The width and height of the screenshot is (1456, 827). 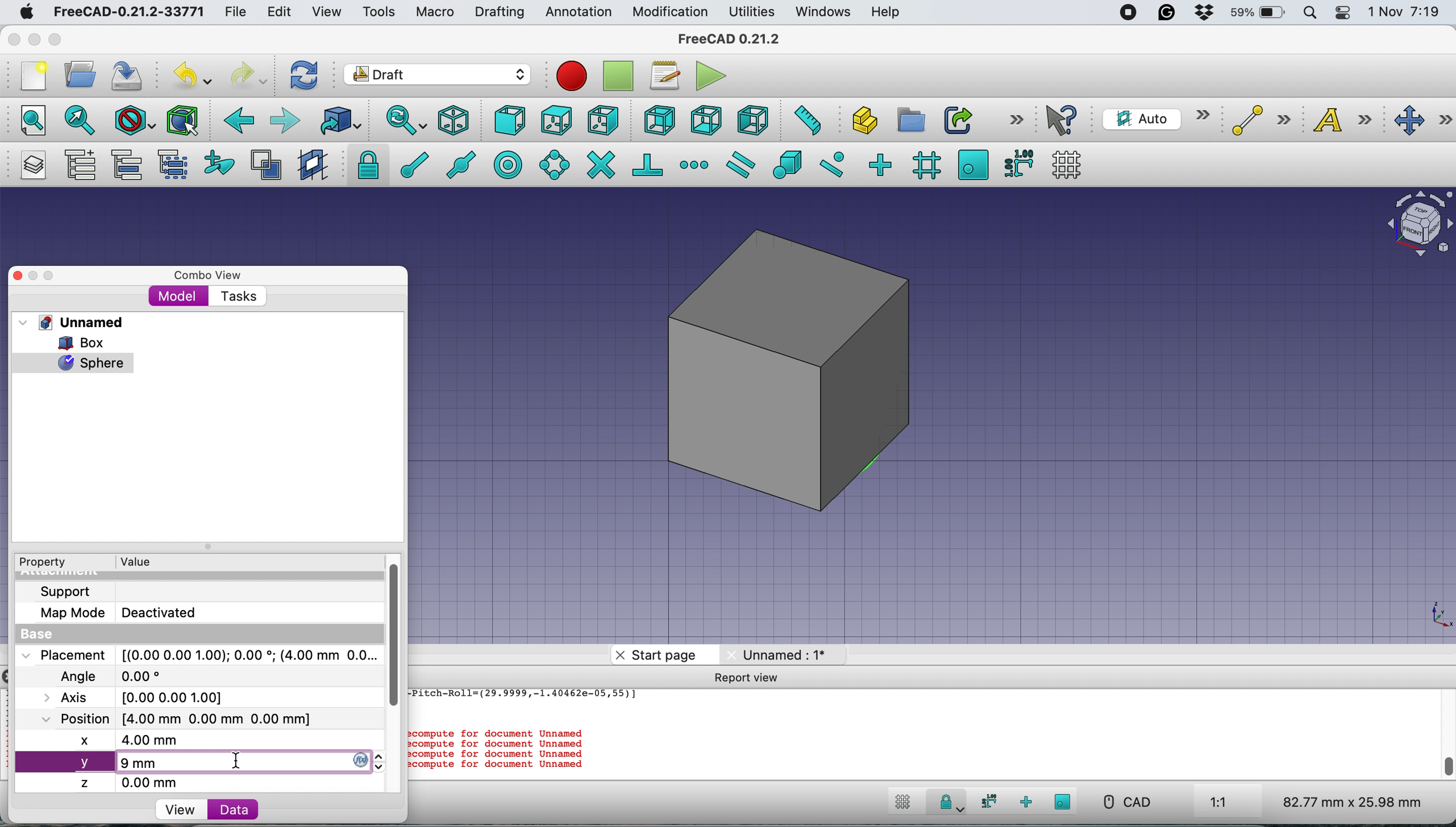 What do you see at coordinates (879, 164) in the screenshot?
I see `snap ortho` at bounding box center [879, 164].